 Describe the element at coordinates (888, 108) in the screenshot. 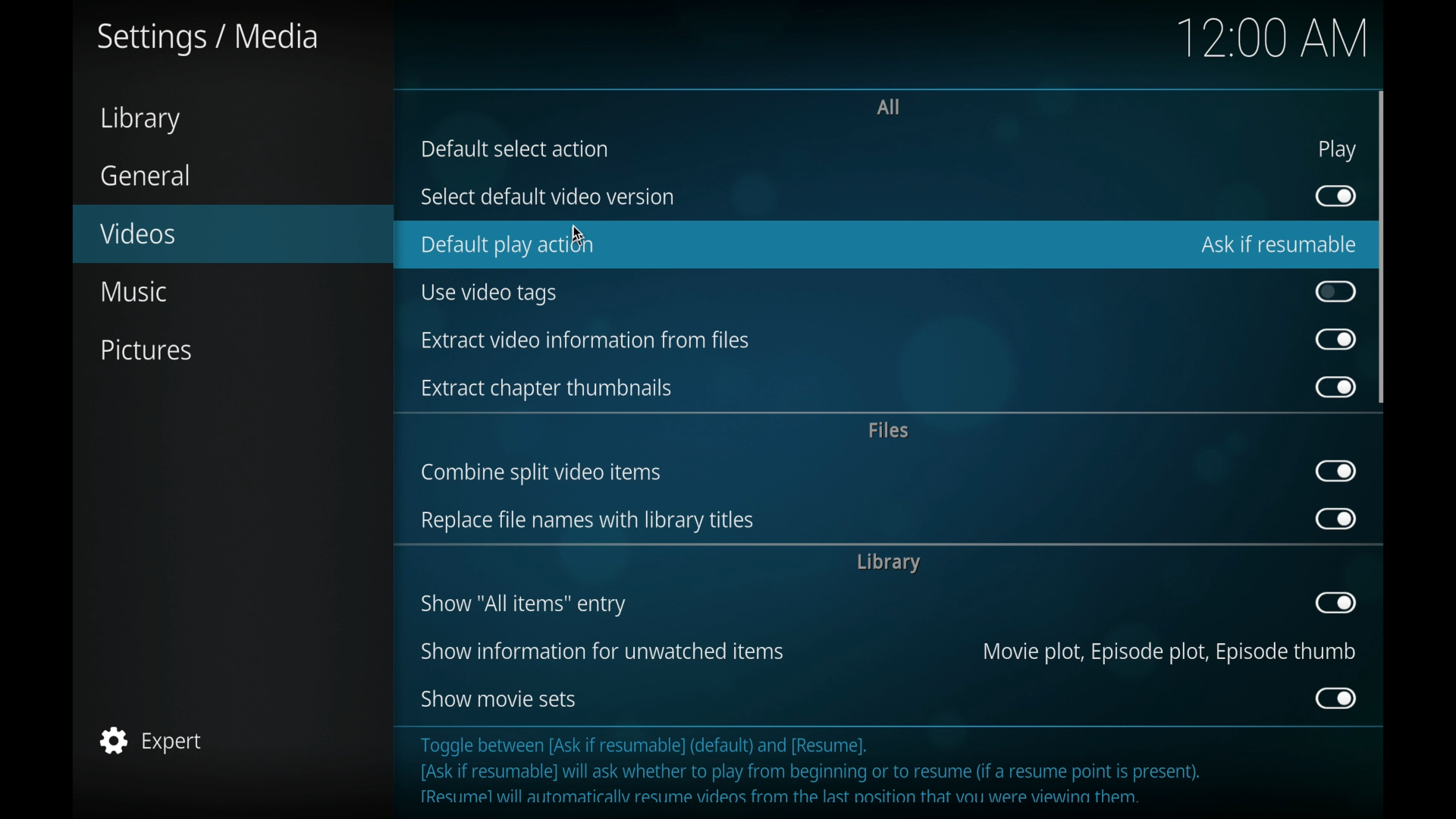

I see `all` at that location.